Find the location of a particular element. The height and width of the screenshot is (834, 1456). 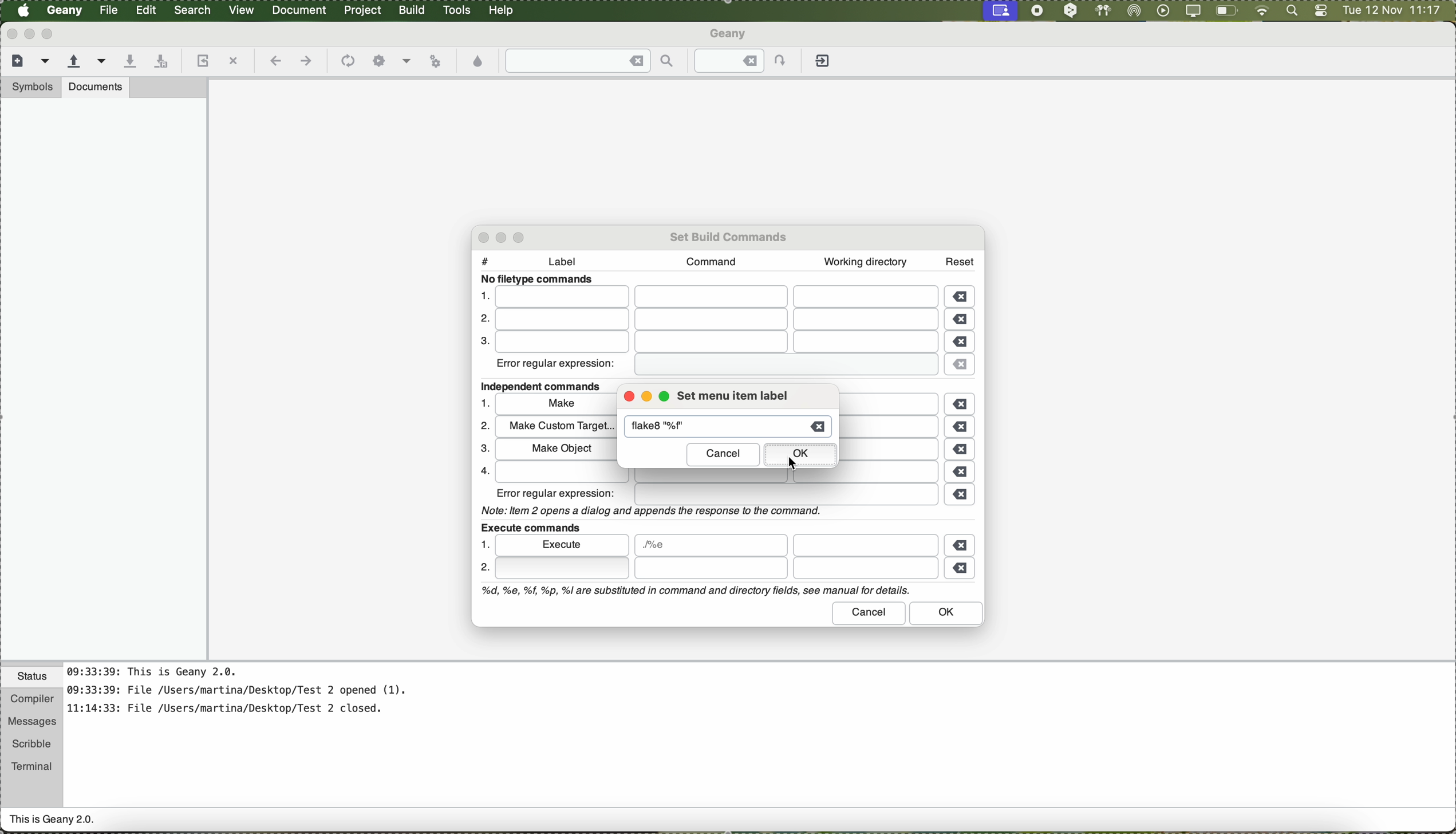

note is located at coordinates (649, 510).